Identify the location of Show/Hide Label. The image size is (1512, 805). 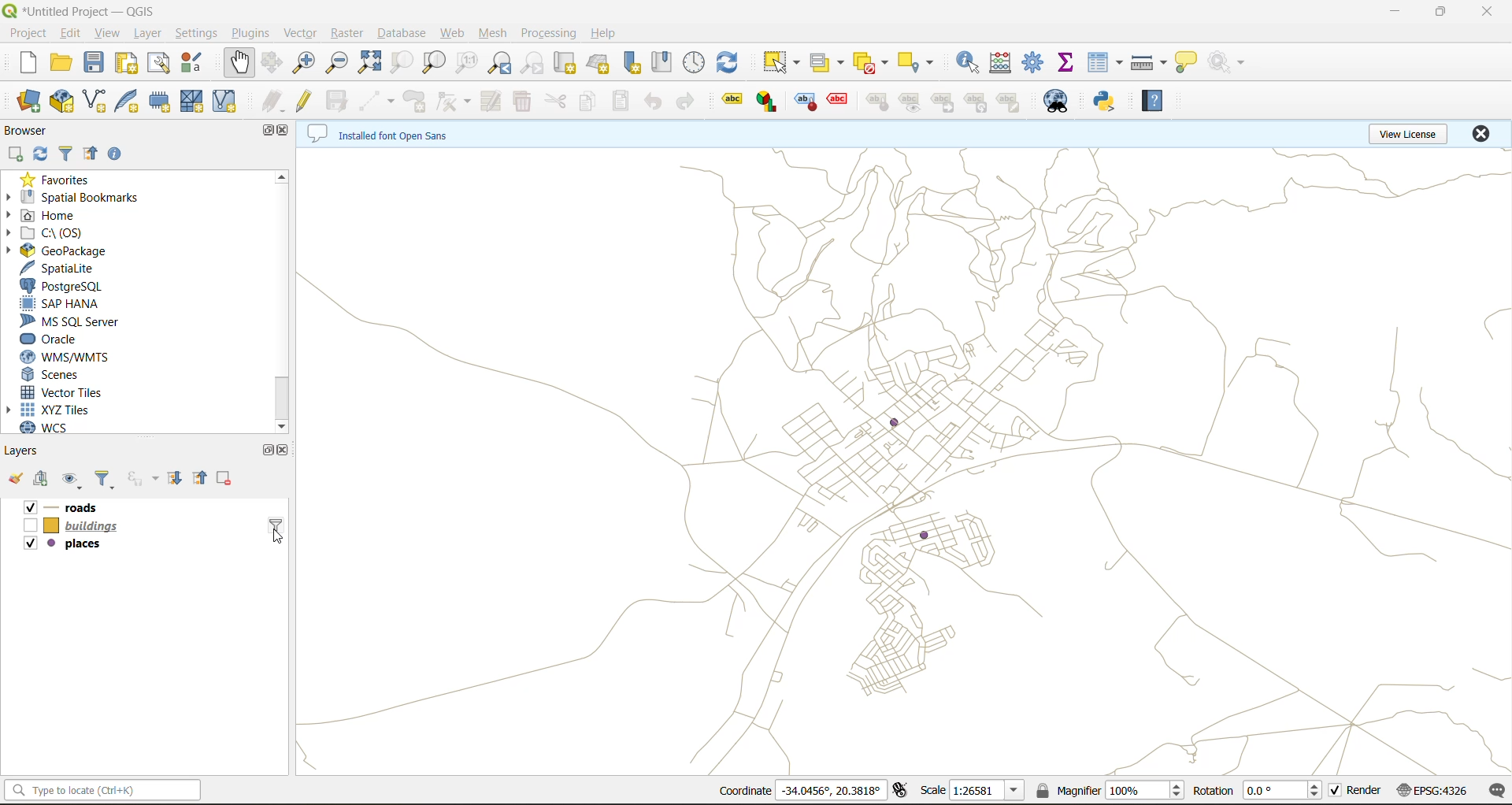
(907, 102).